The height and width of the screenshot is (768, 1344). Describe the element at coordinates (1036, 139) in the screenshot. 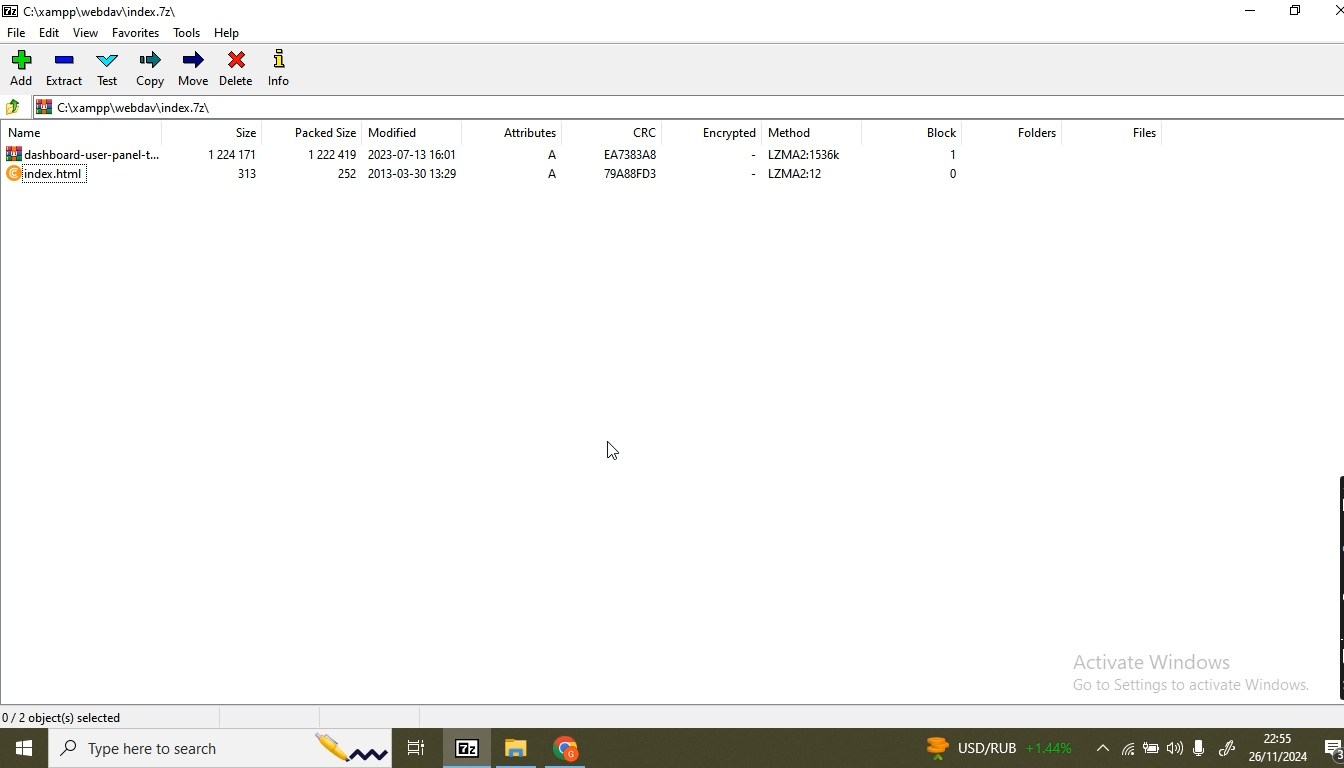

I see `folders` at that location.